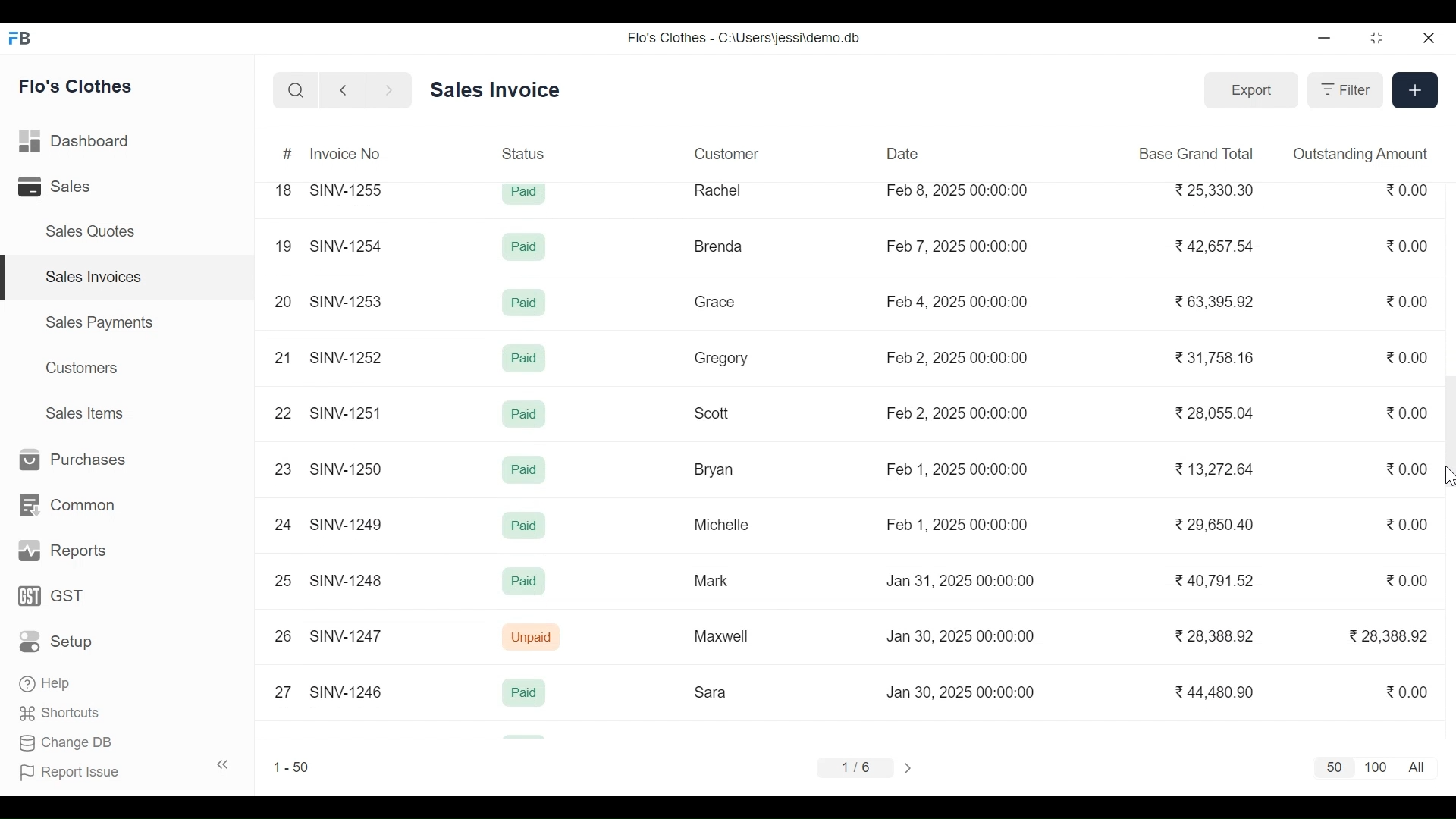 The width and height of the screenshot is (1456, 819). I want to click on Maxwell, so click(728, 637).